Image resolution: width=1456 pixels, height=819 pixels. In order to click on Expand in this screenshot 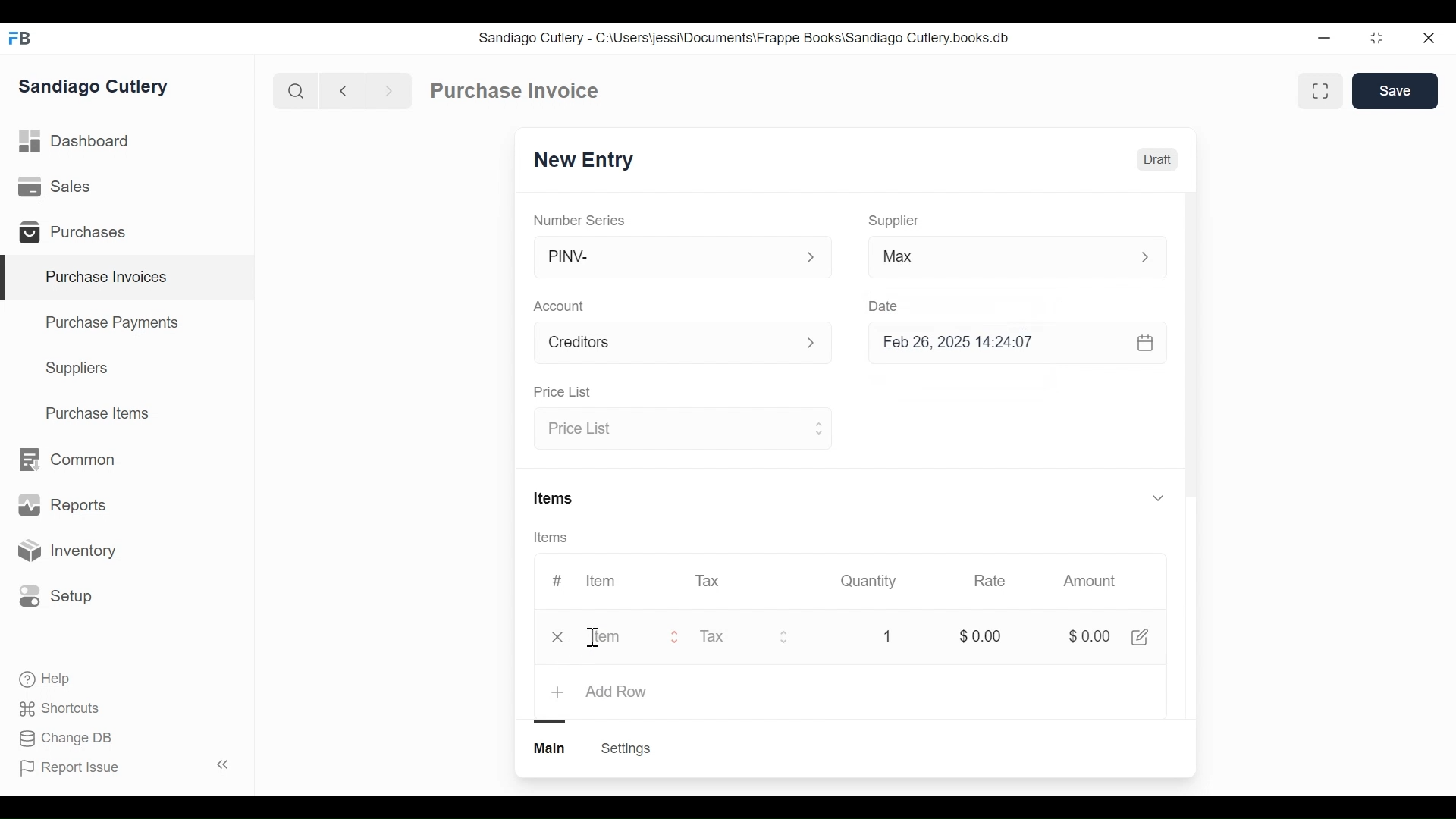, I will do `click(811, 258)`.